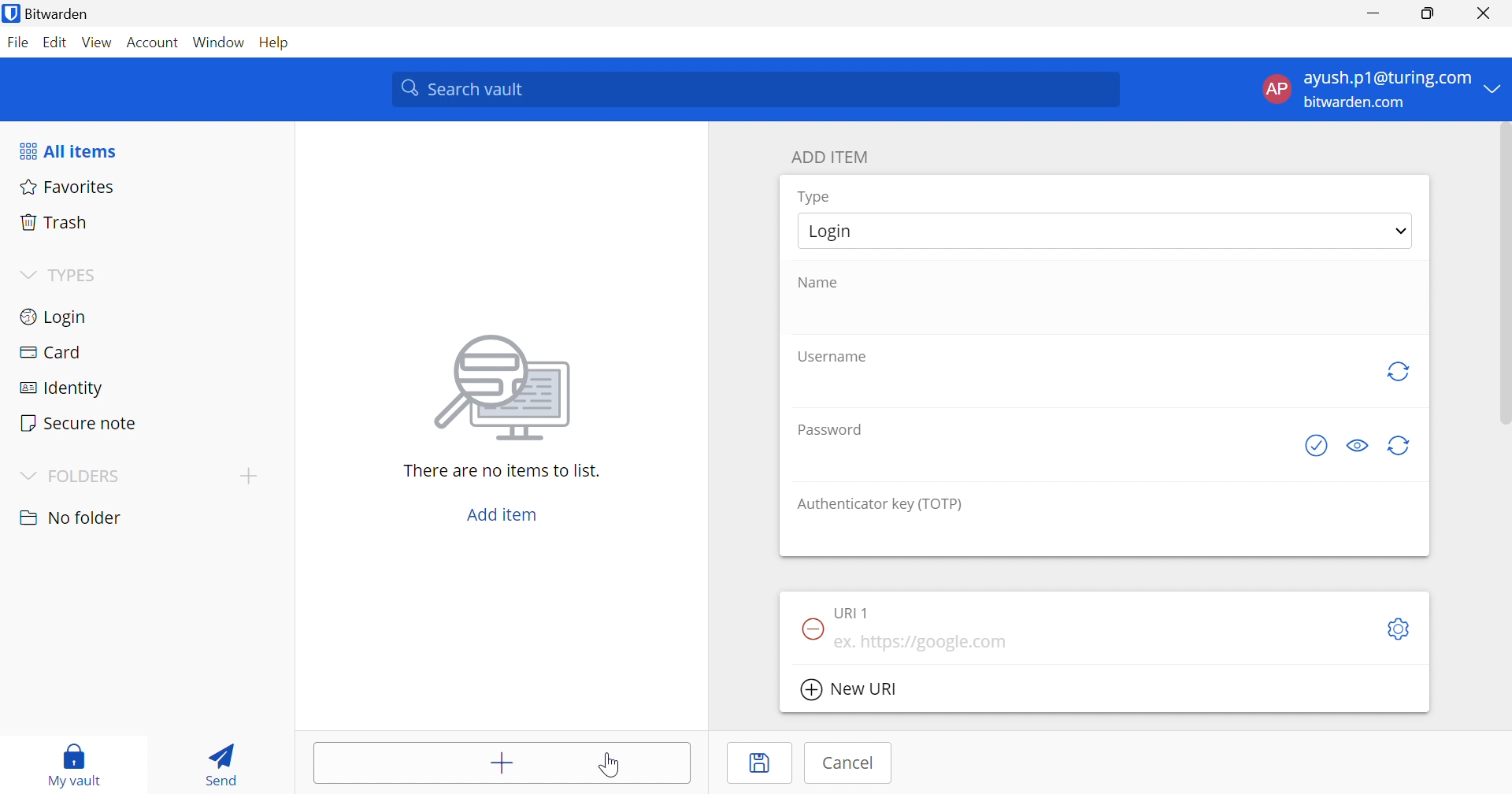  I want to click on Drop Down, so click(24, 475).